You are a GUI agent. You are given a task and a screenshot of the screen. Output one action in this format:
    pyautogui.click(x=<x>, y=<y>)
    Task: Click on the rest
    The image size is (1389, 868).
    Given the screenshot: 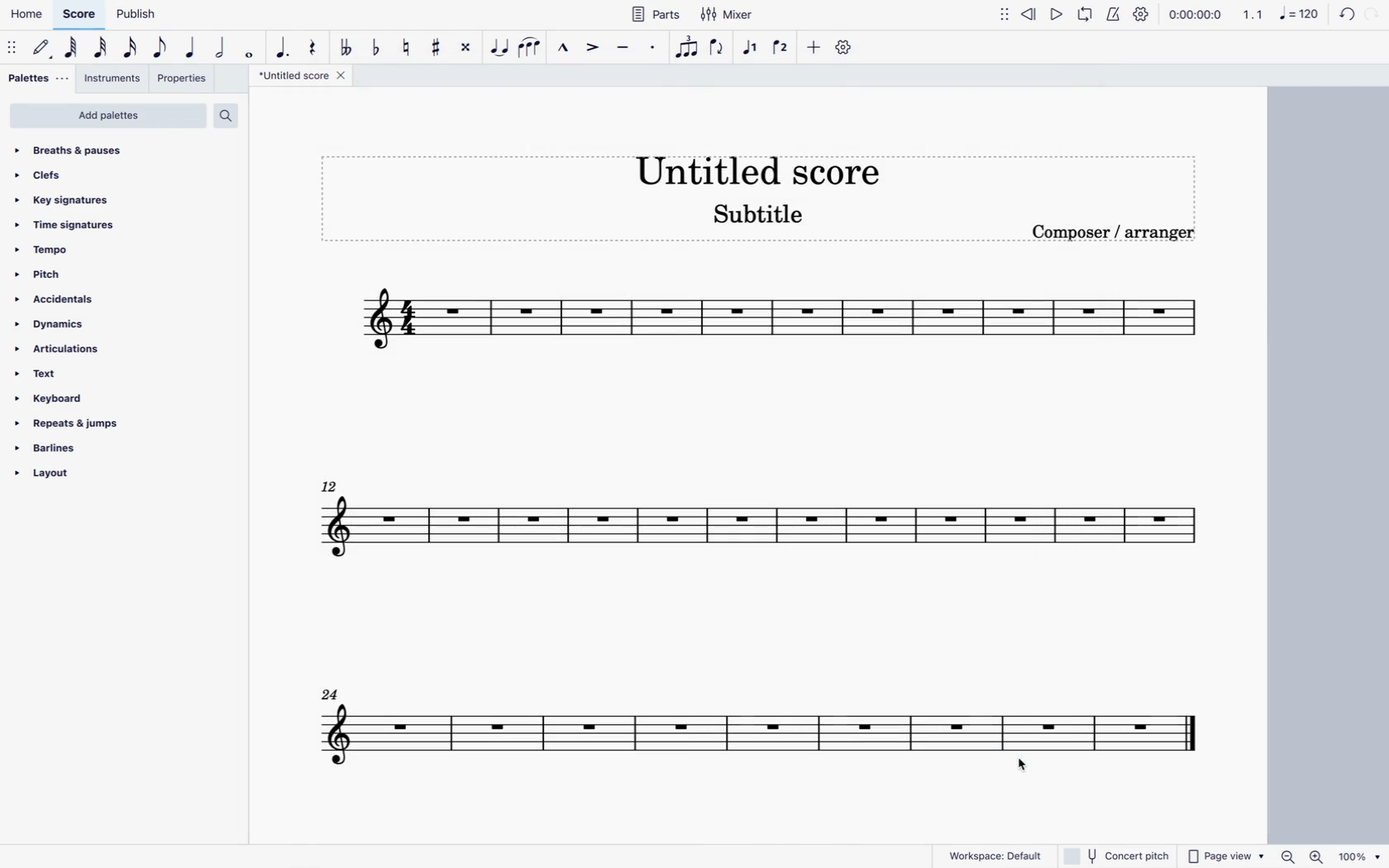 What is the action you would take?
    pyautogui.click(x=312, y=49)
    